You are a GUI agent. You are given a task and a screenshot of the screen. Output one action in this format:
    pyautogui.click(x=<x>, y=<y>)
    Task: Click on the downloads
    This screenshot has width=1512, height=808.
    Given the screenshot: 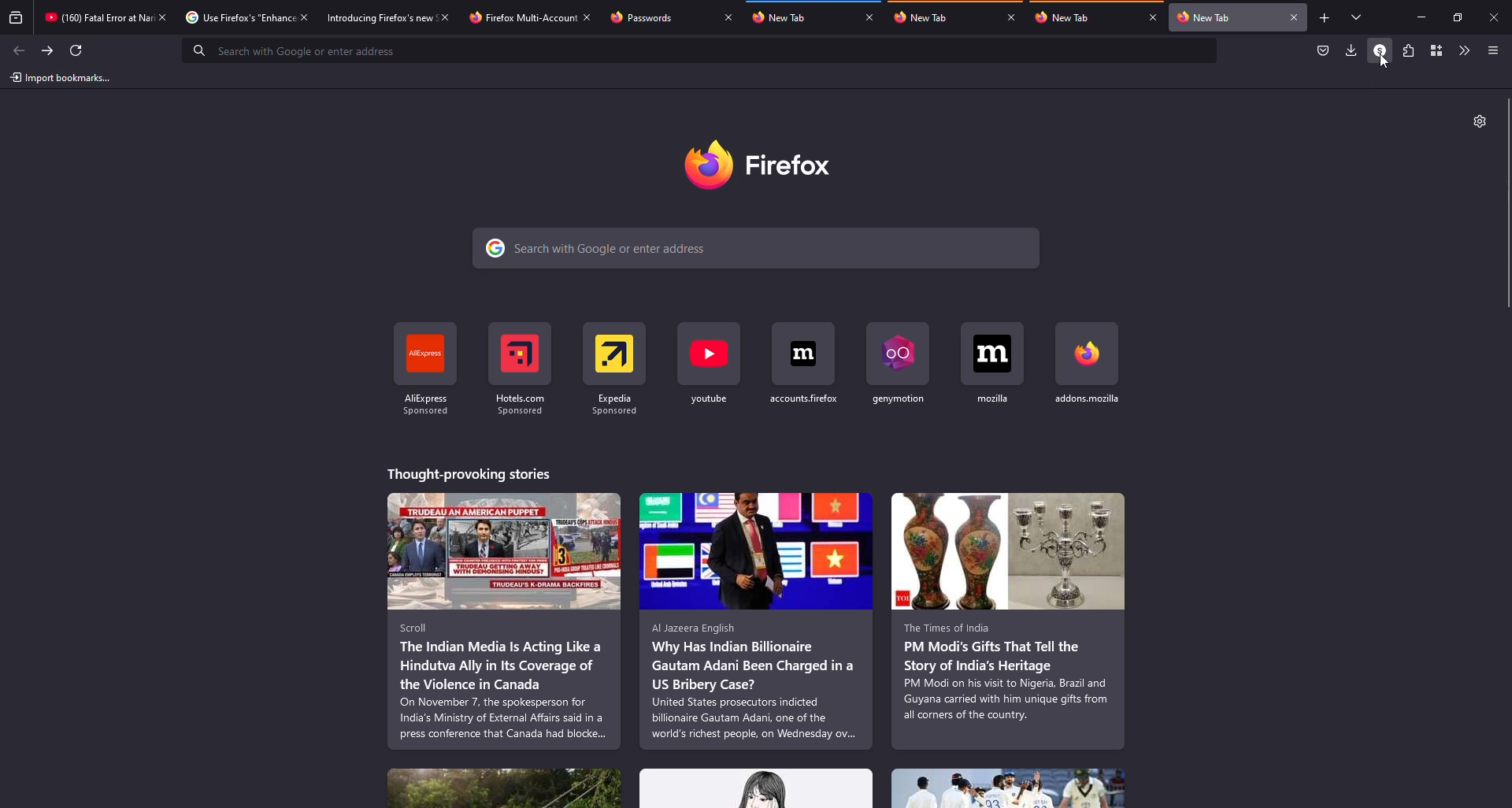 What is the action you would take?
    pyautogui.click(x=1349, y=49)
    